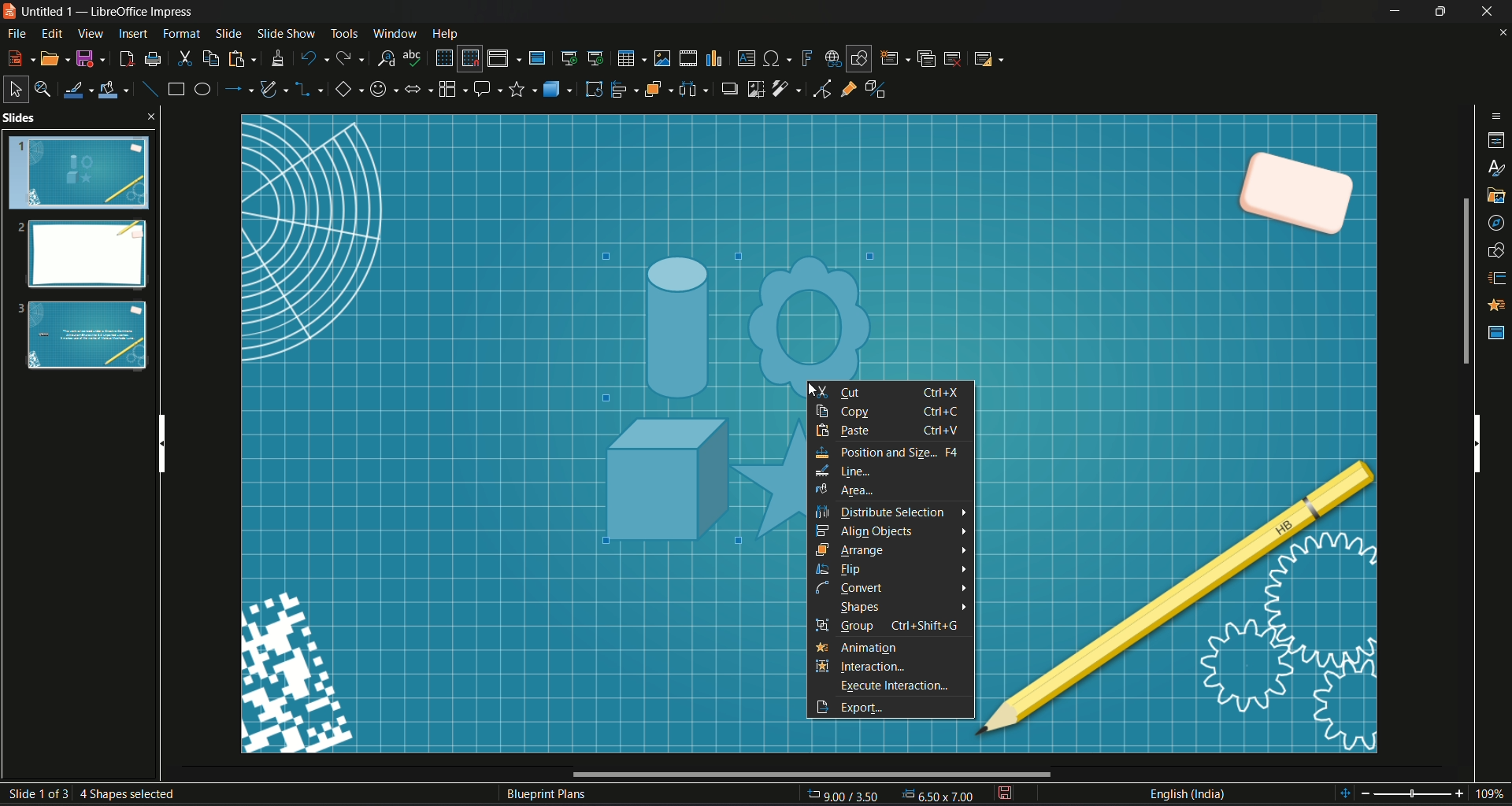  Describe the element at coordinates (1498, 279) in the screenshot. I see `slide transition` at that location.